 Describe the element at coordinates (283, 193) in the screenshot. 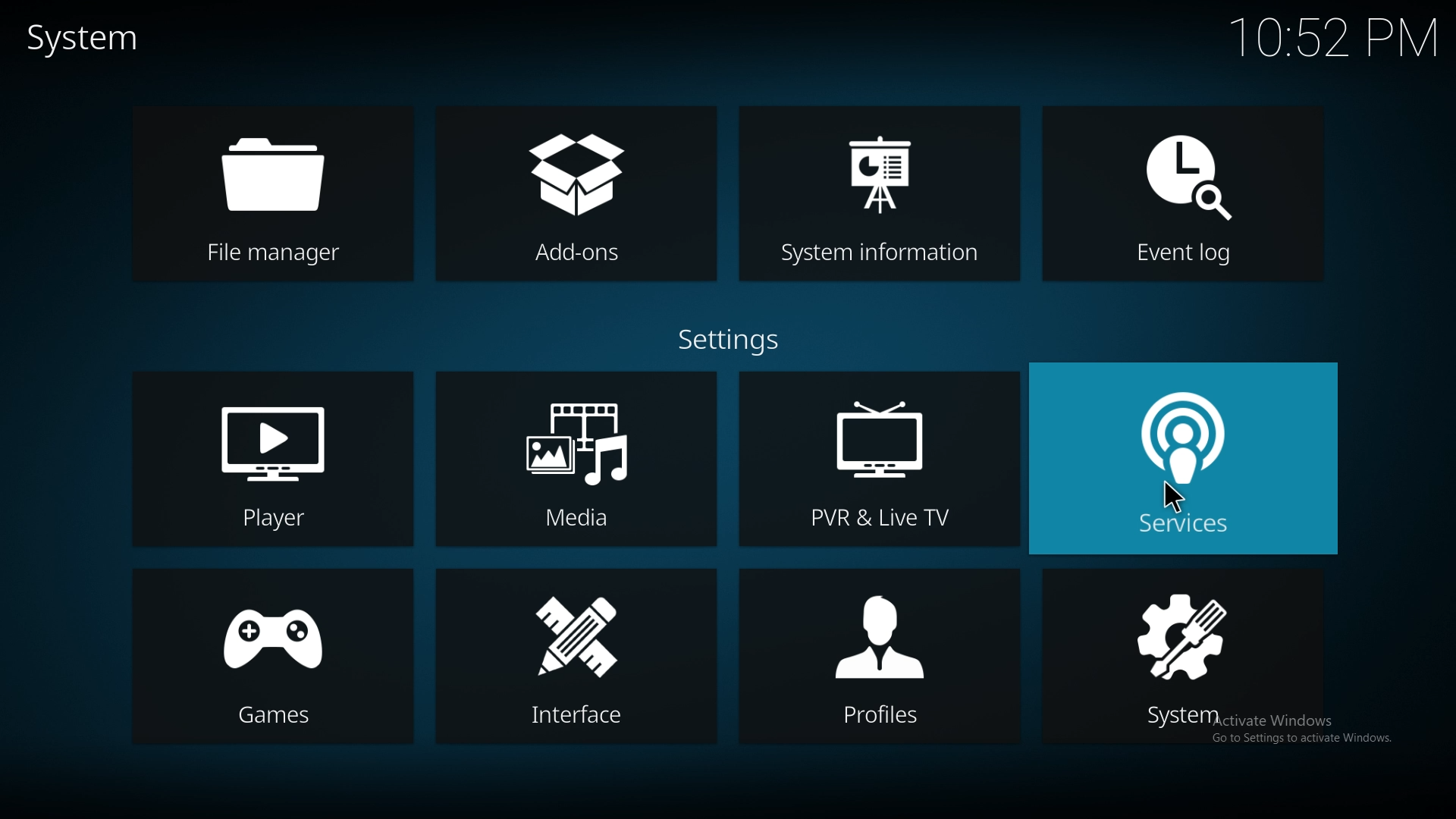

I see `file manager` at that location.